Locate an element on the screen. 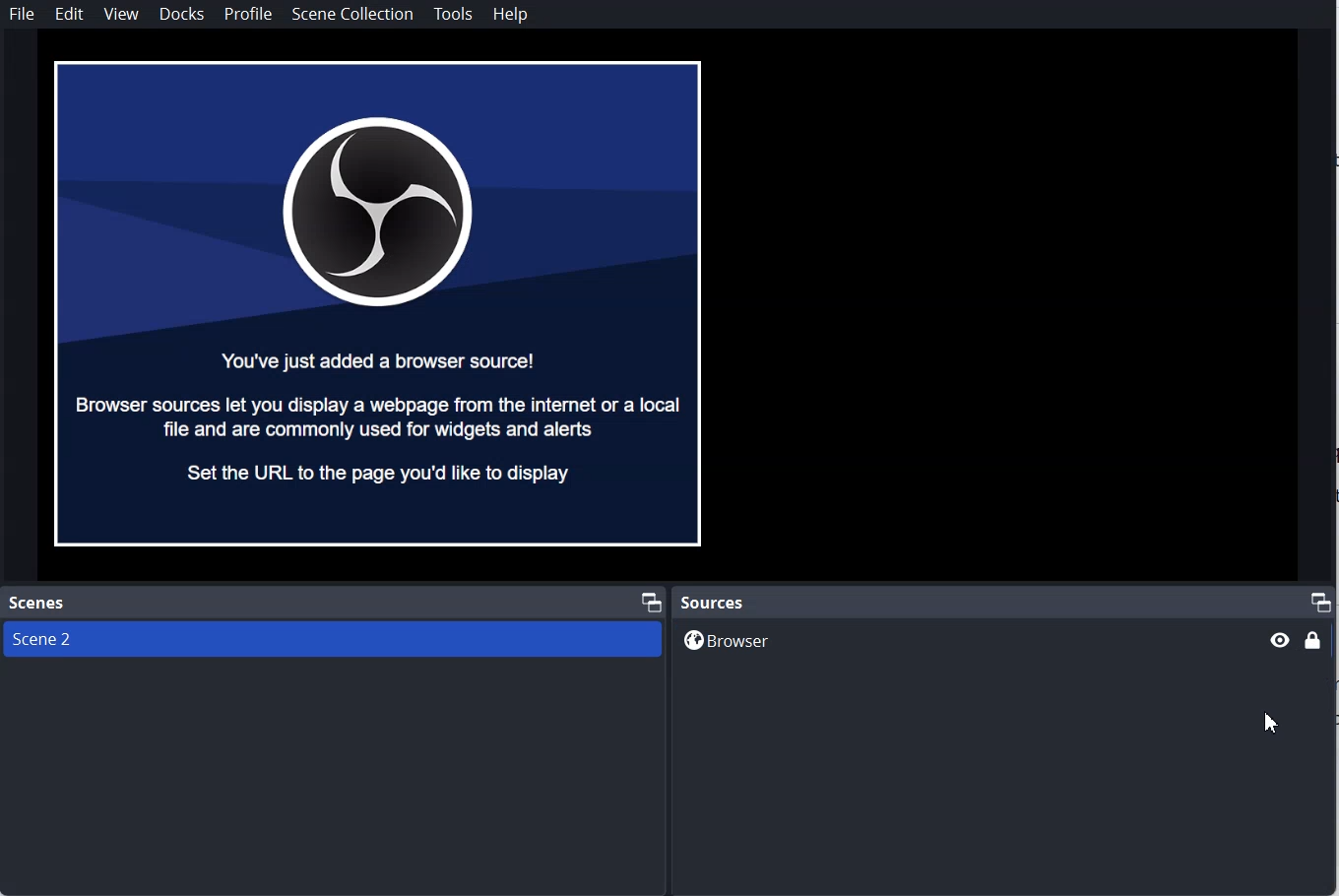 The width and height of the screenshot is (1339, 896). View is located at coordinates (121, 14).